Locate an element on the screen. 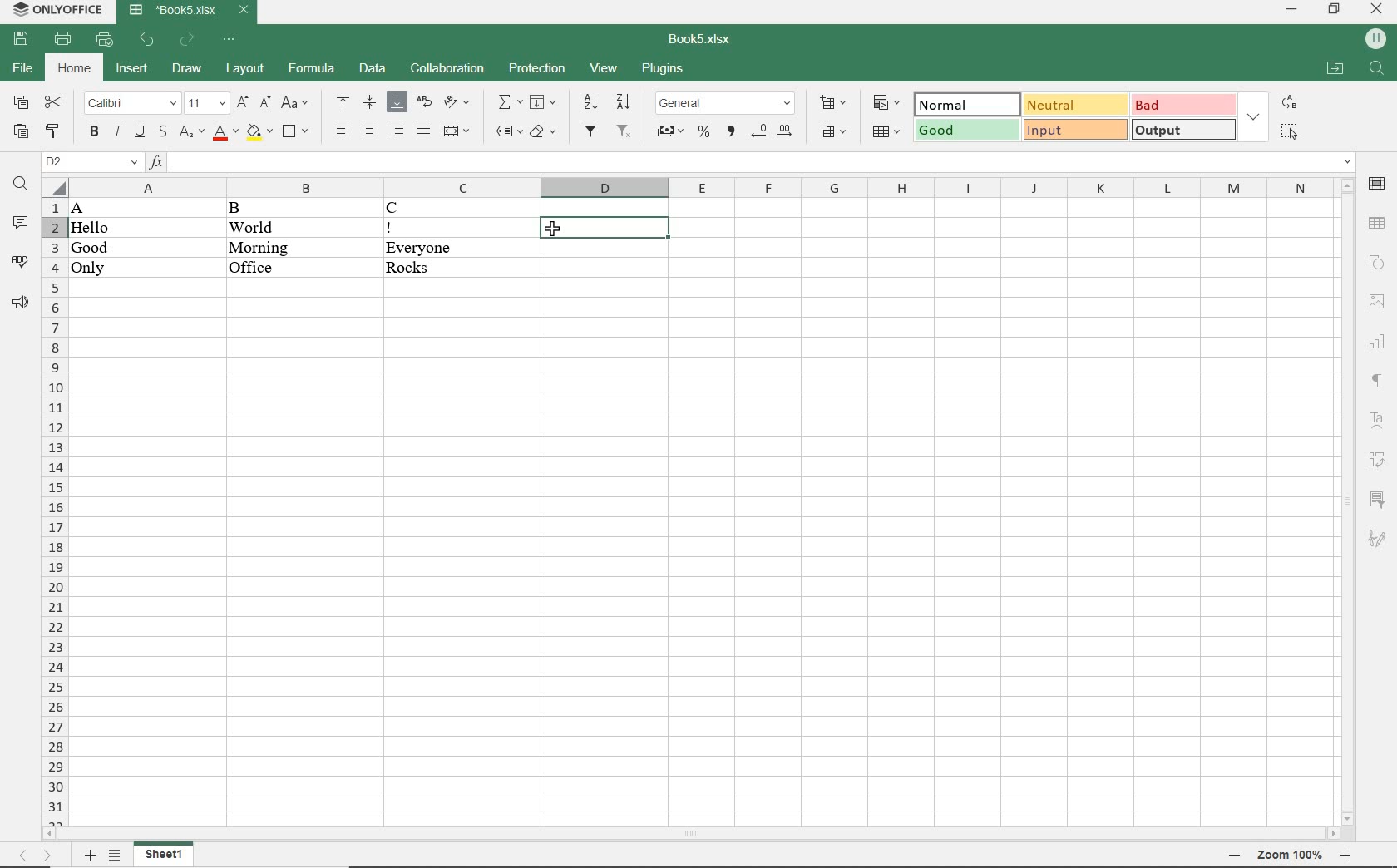 Image resolution: width=1397 pixels, height=868 pixels. formula is located at coordinates (313, 70).